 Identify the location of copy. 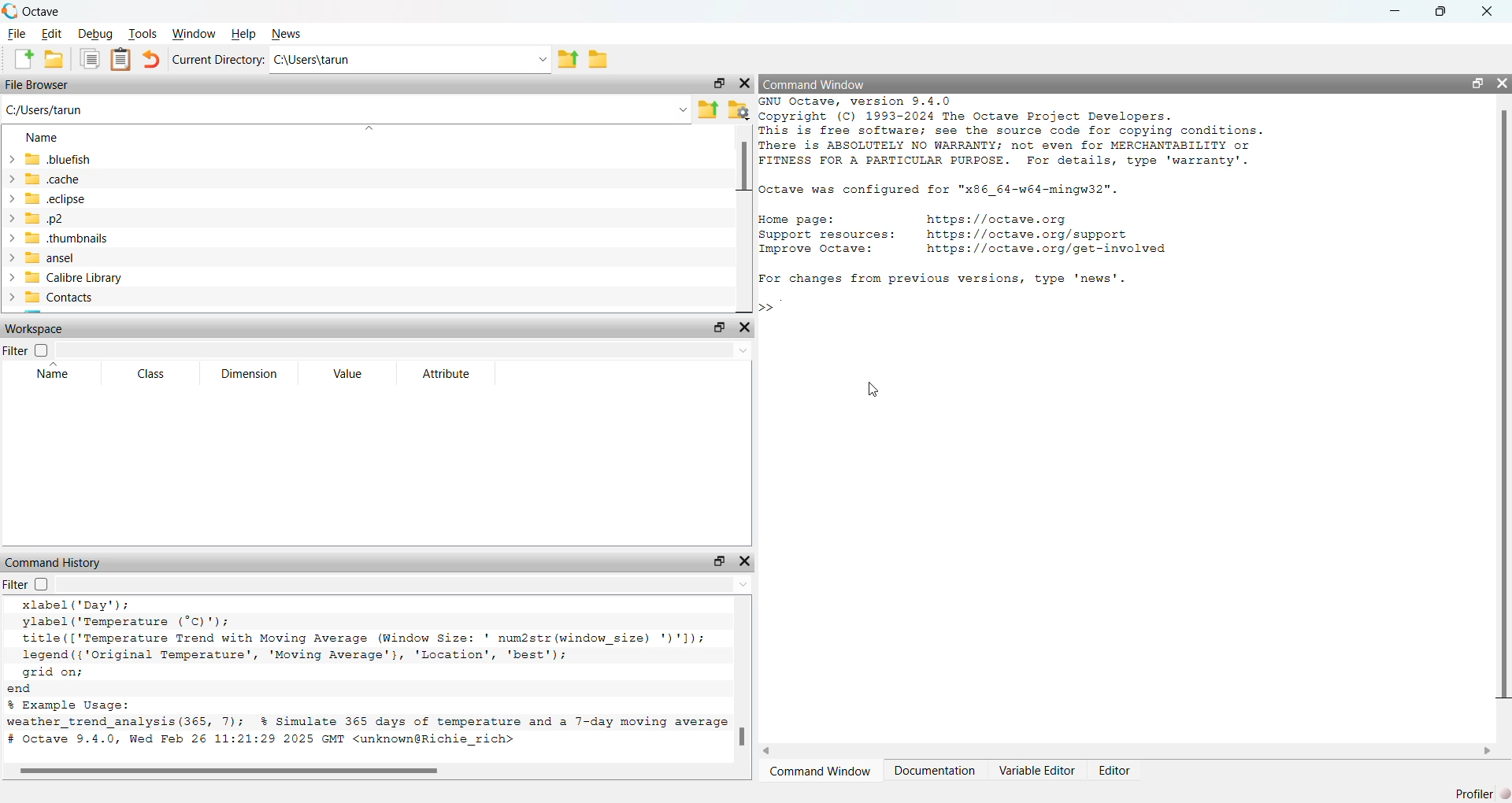
(90, 59).